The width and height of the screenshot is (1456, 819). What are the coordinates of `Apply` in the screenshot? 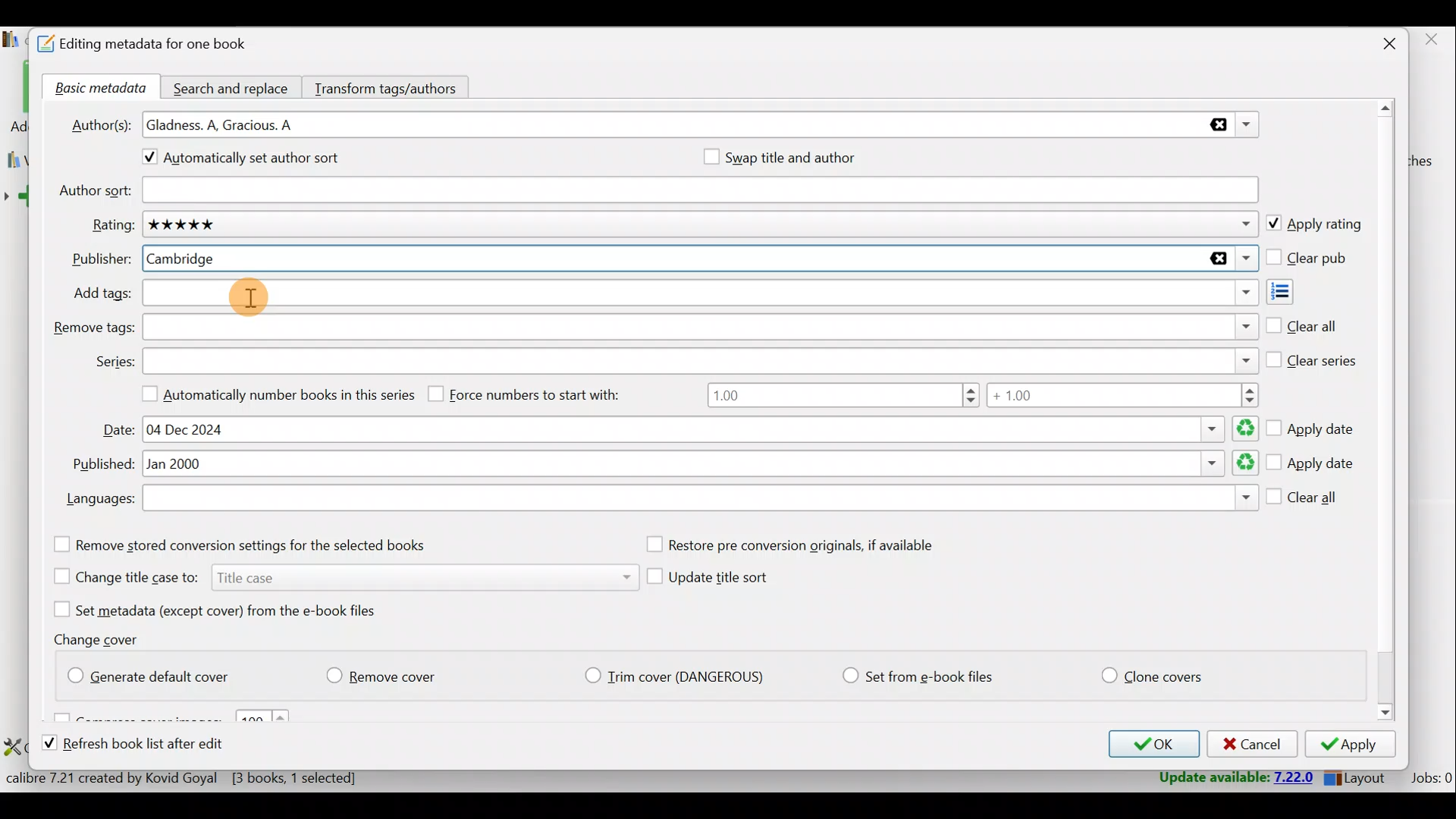 It's located at (1355, 746).